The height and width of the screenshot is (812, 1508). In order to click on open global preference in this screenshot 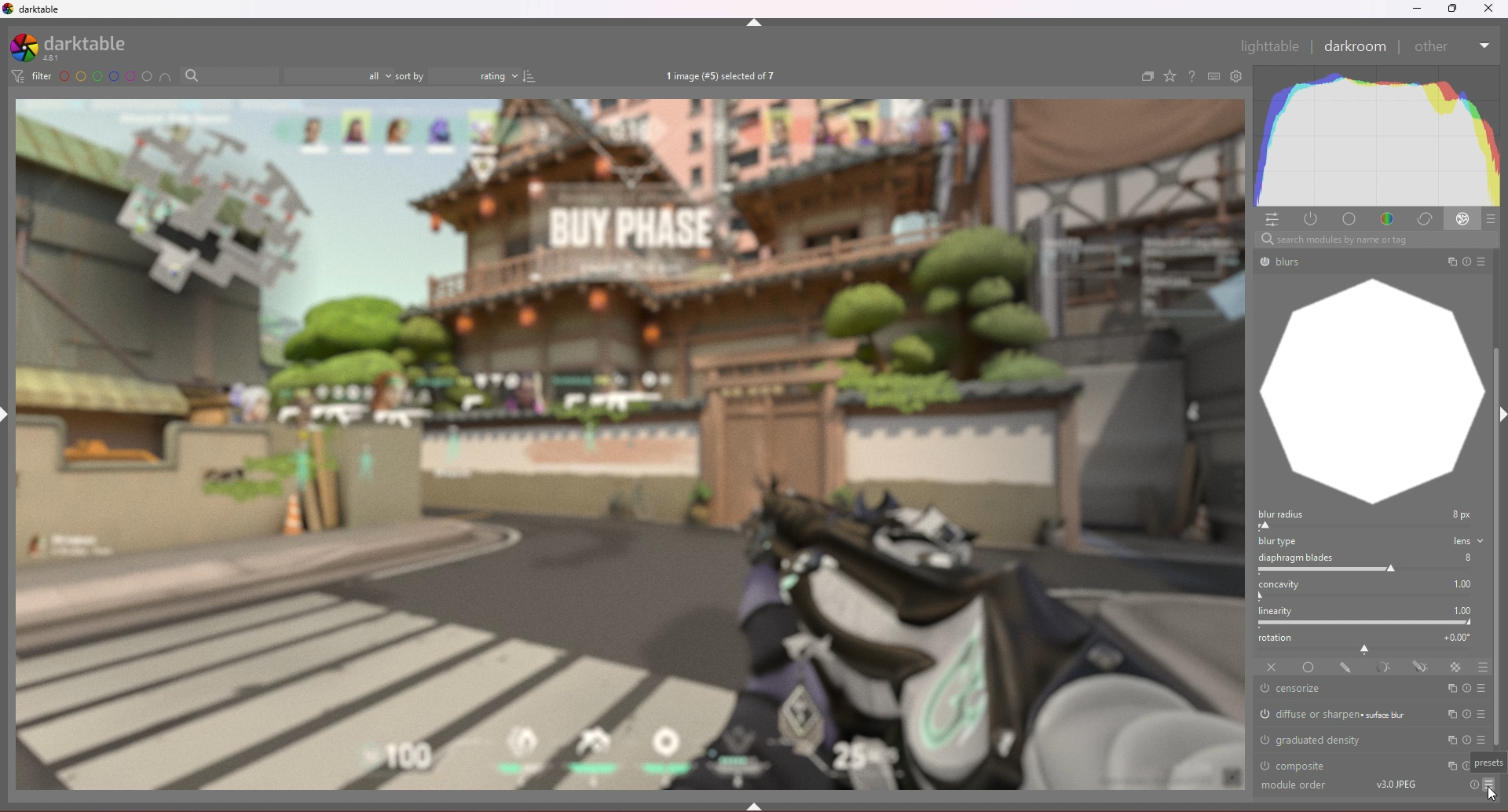, I will do `click(1237, 77)`.